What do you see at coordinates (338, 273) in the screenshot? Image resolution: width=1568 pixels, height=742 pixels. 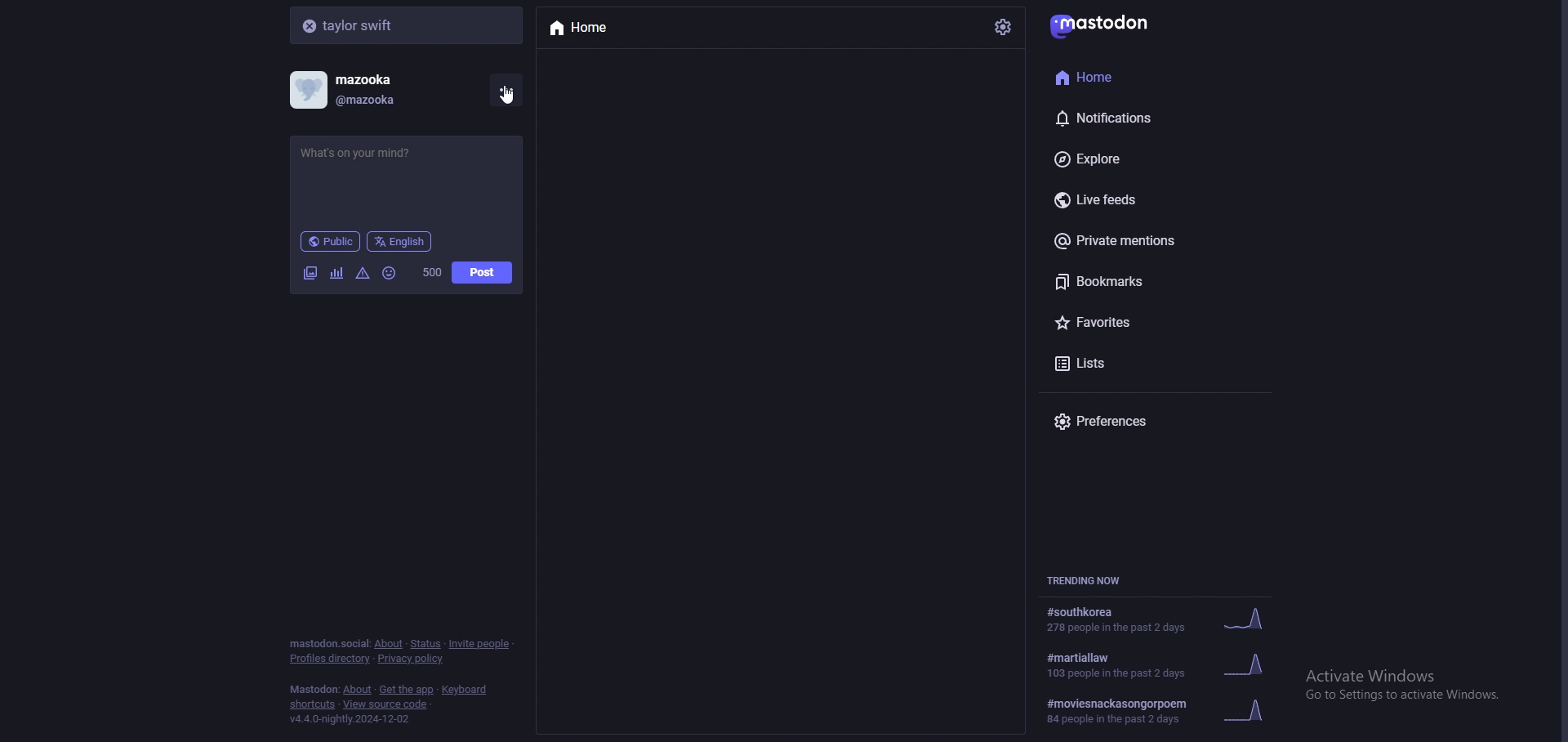 I see `polls` at bounding box center [338, 273].